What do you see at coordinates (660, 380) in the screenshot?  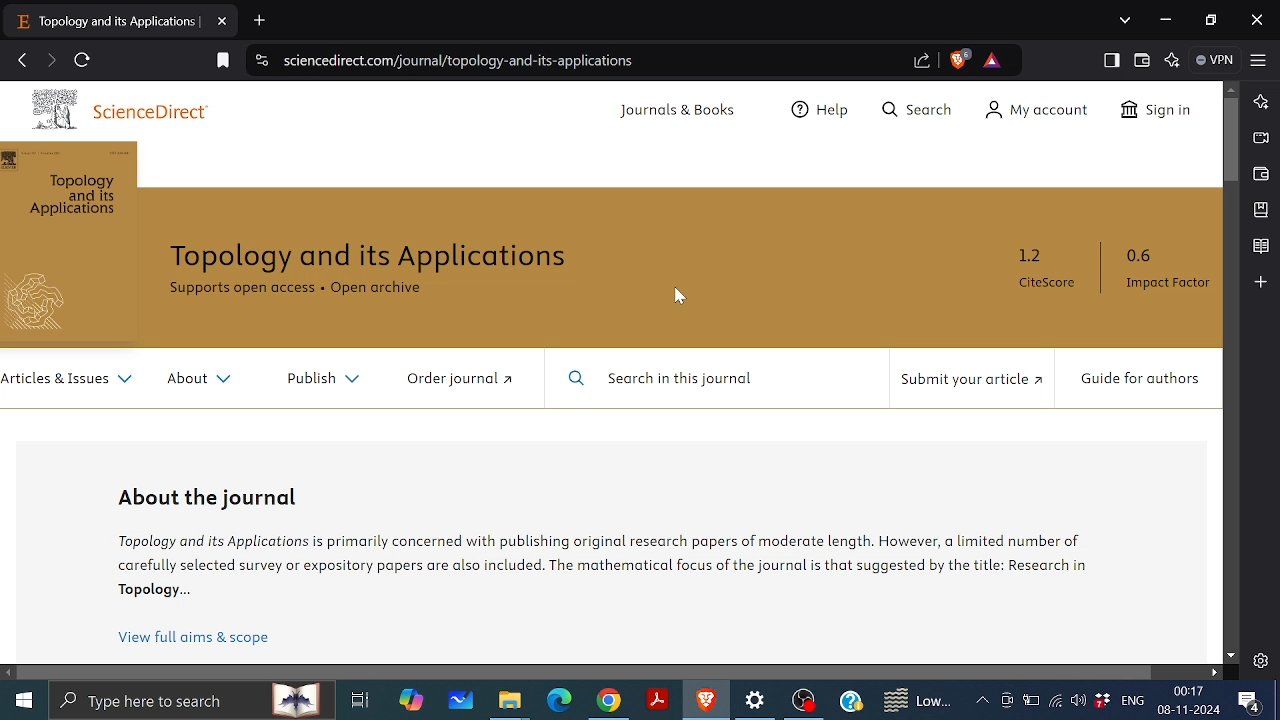 I see `Search in this journal` at bounding box center [660, 380].